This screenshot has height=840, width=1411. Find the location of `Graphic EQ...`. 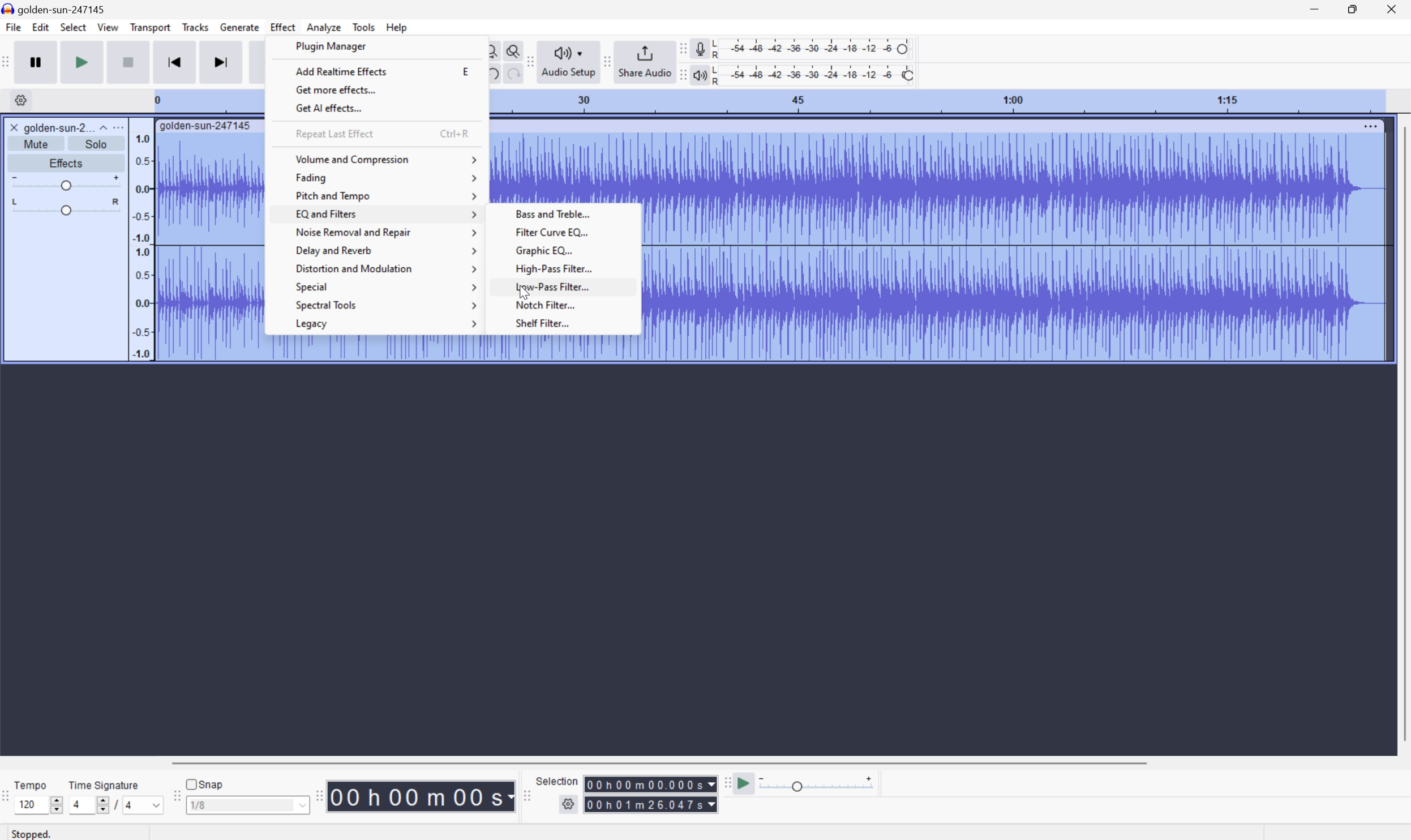

Graphic EQ... is located at coordinates (572, 250).